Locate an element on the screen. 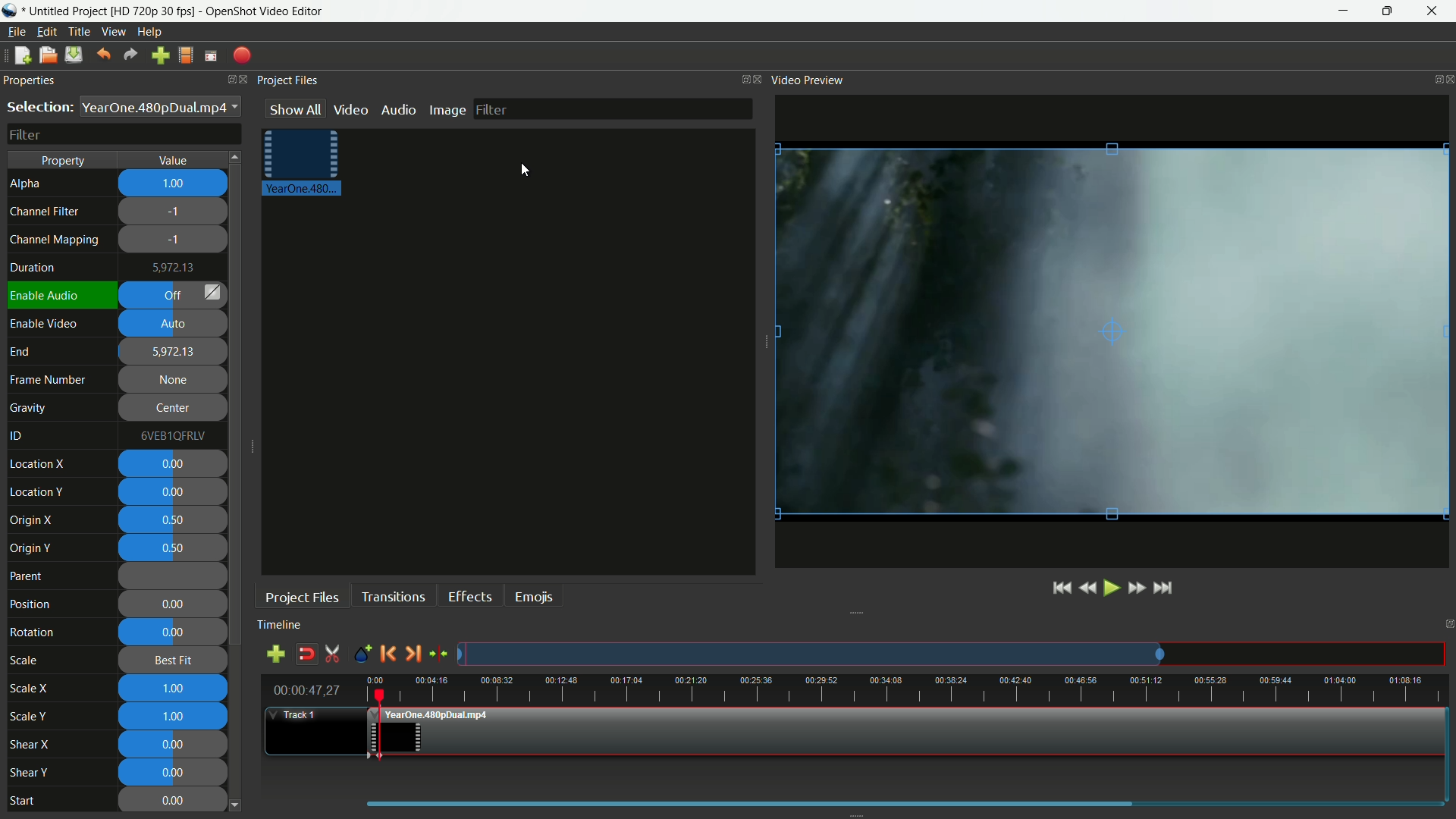 The image size is (1456, 819). -1 is located at coordinates (174, 240).